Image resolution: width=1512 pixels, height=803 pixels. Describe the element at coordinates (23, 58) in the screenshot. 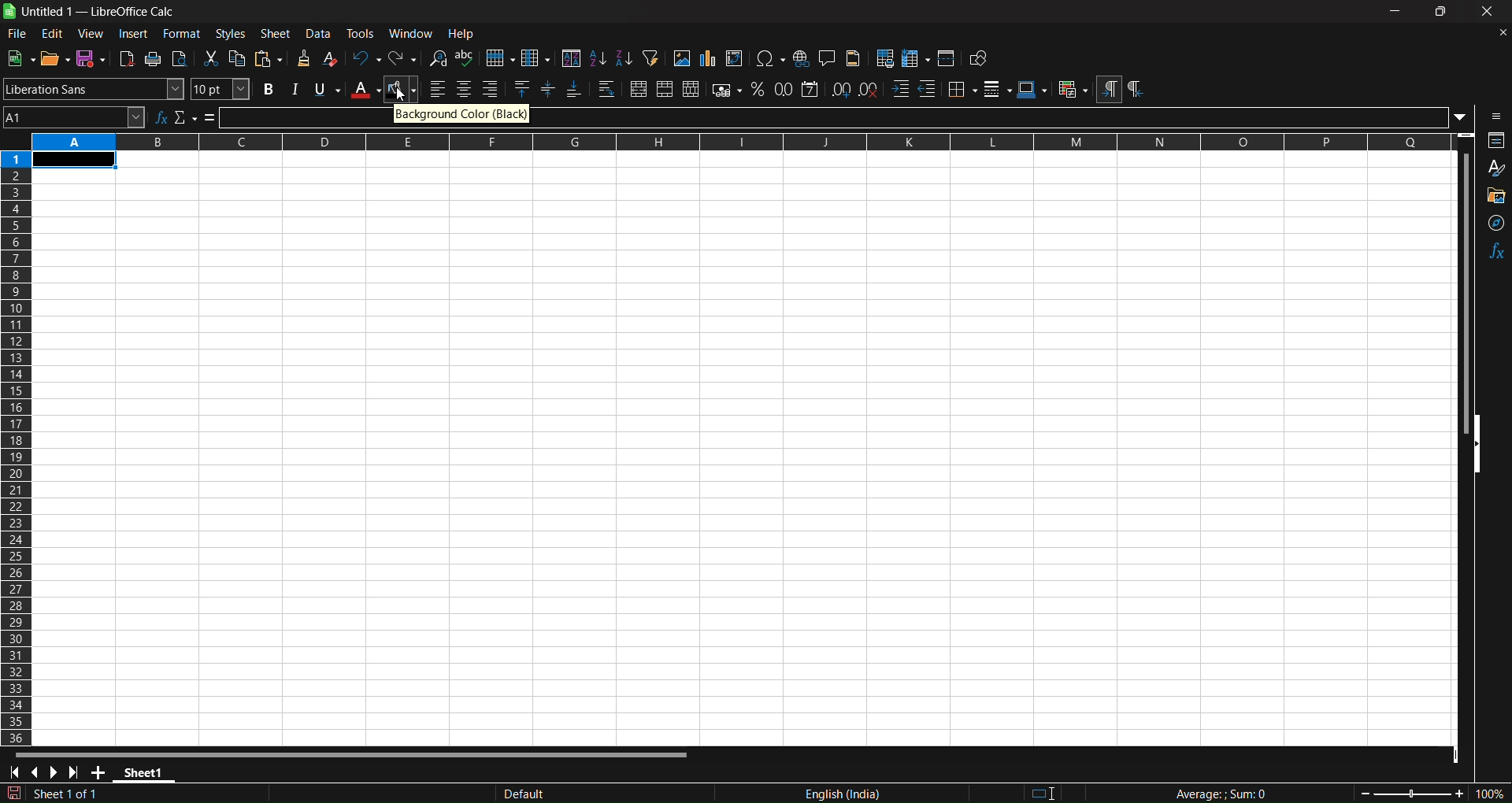

I see `new` at that location.